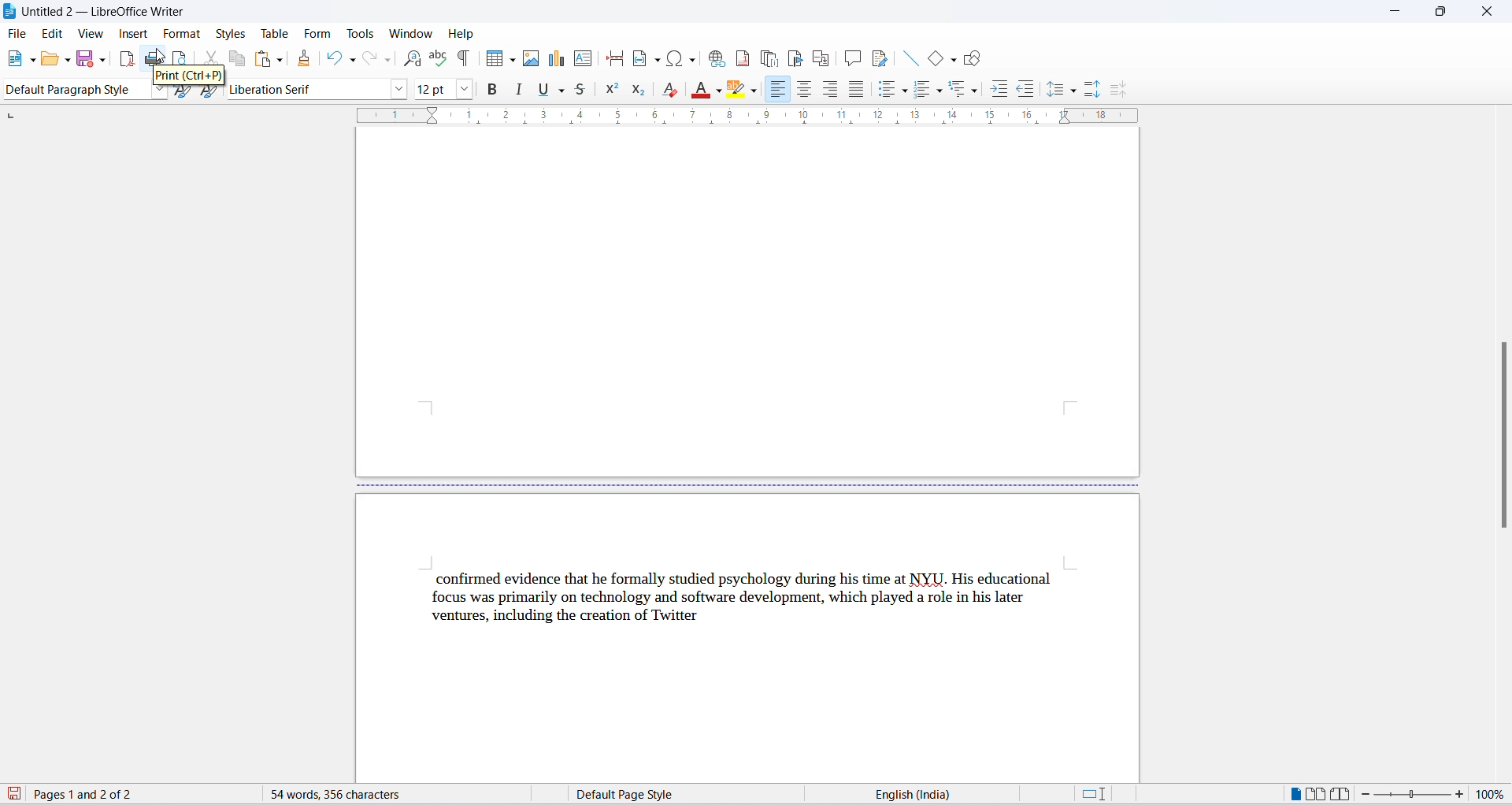  Describe the element at coordinates (1494, 796) in the screenshot. I see `zoom percentage` at that location.